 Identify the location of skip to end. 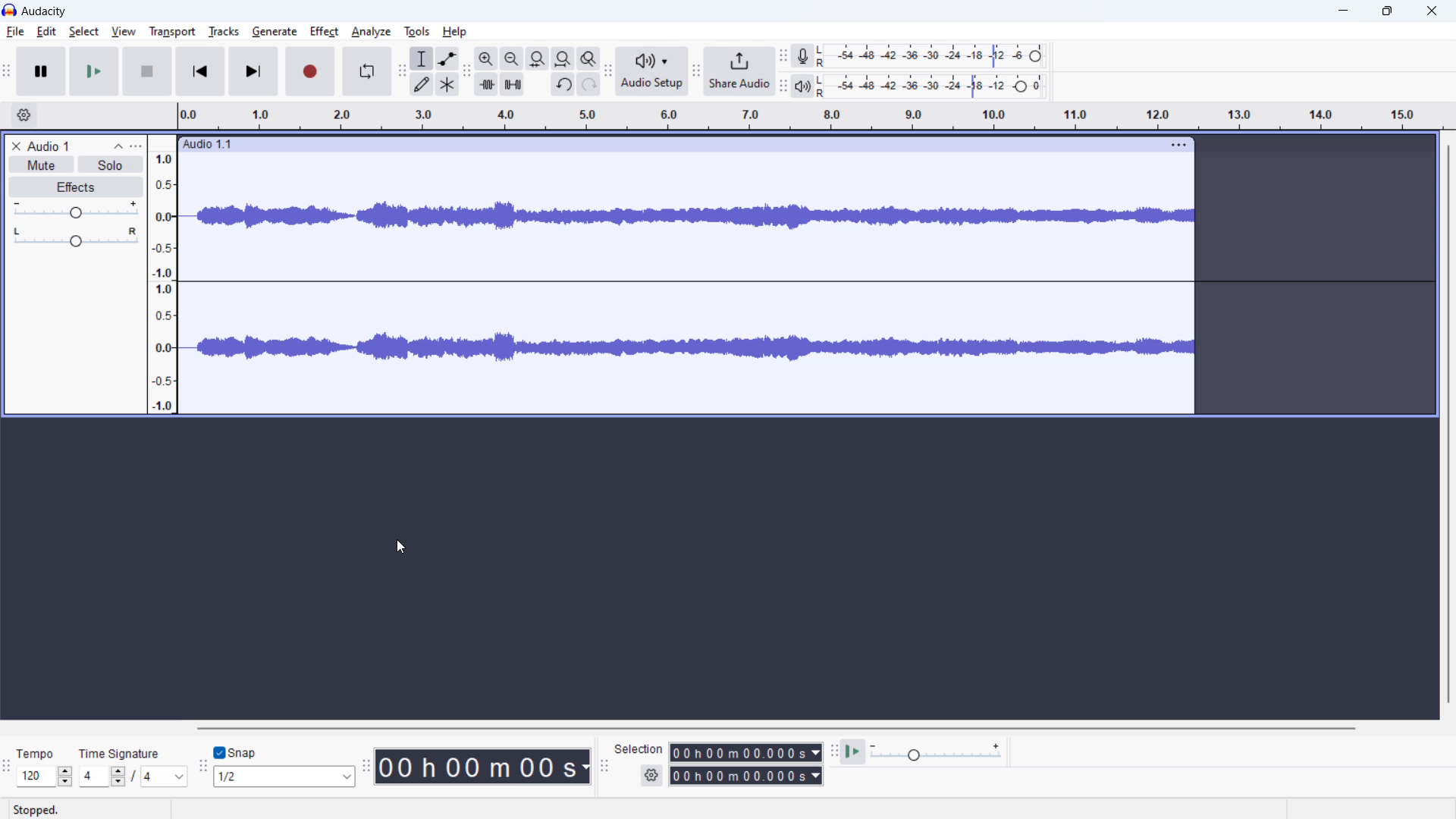
(254, 71).